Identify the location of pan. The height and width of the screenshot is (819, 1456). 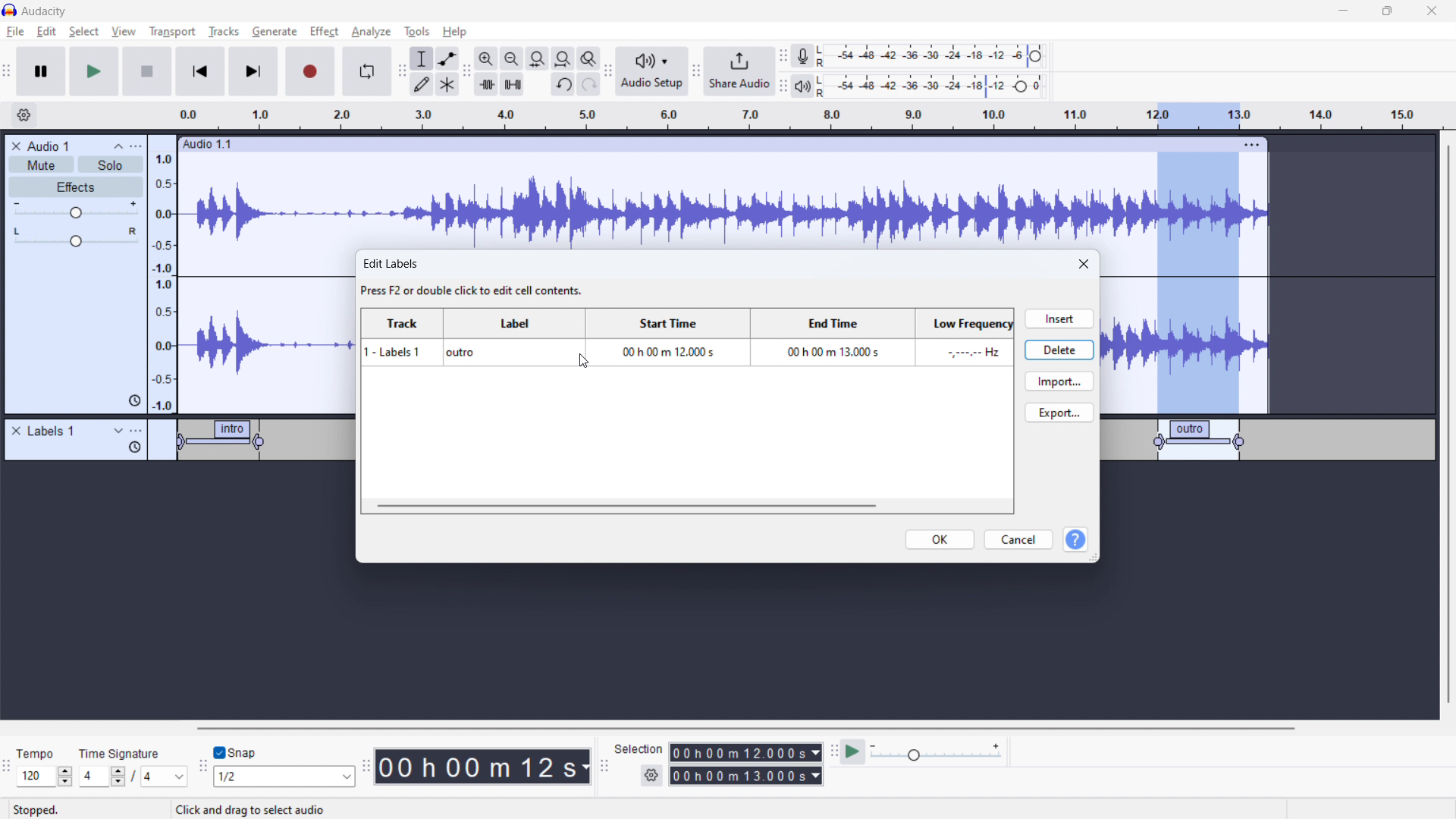
(76, 237).